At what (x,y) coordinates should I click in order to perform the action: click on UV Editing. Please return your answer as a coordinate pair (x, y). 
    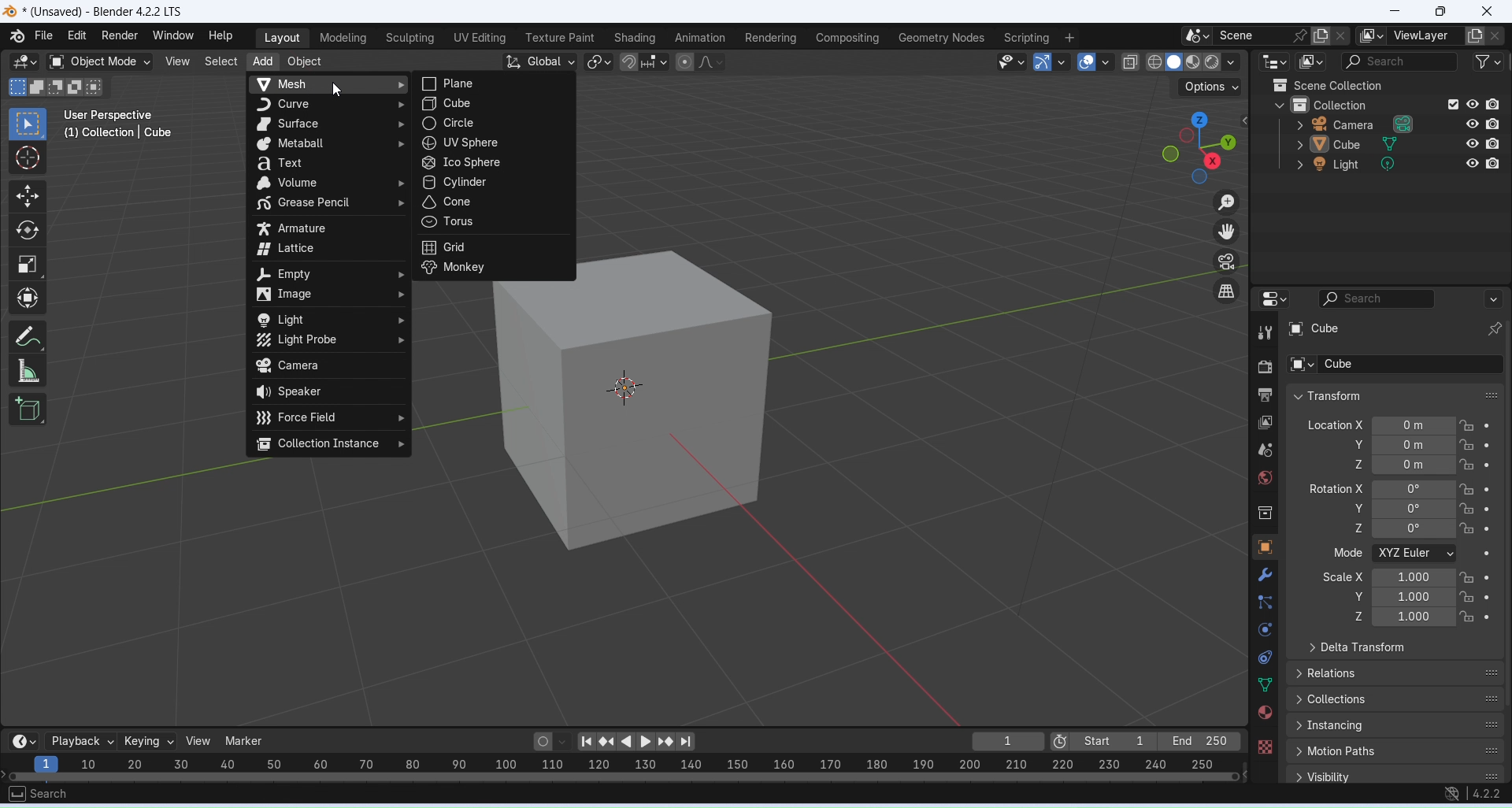
    Looking at the image, I should click on (478, 38).